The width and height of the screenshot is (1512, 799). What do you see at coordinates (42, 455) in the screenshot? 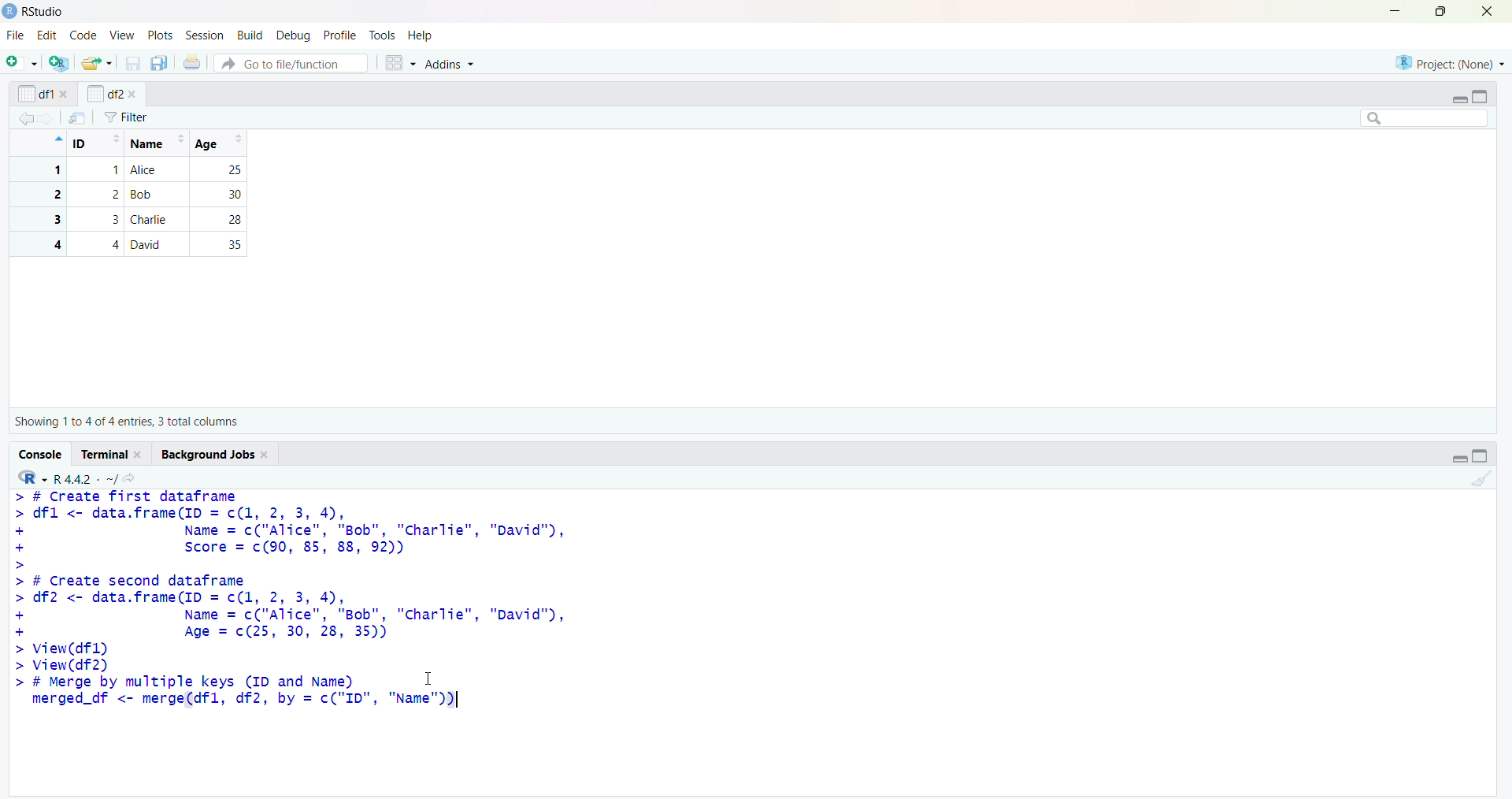
I see `Console` at bounding box center [42, 455].